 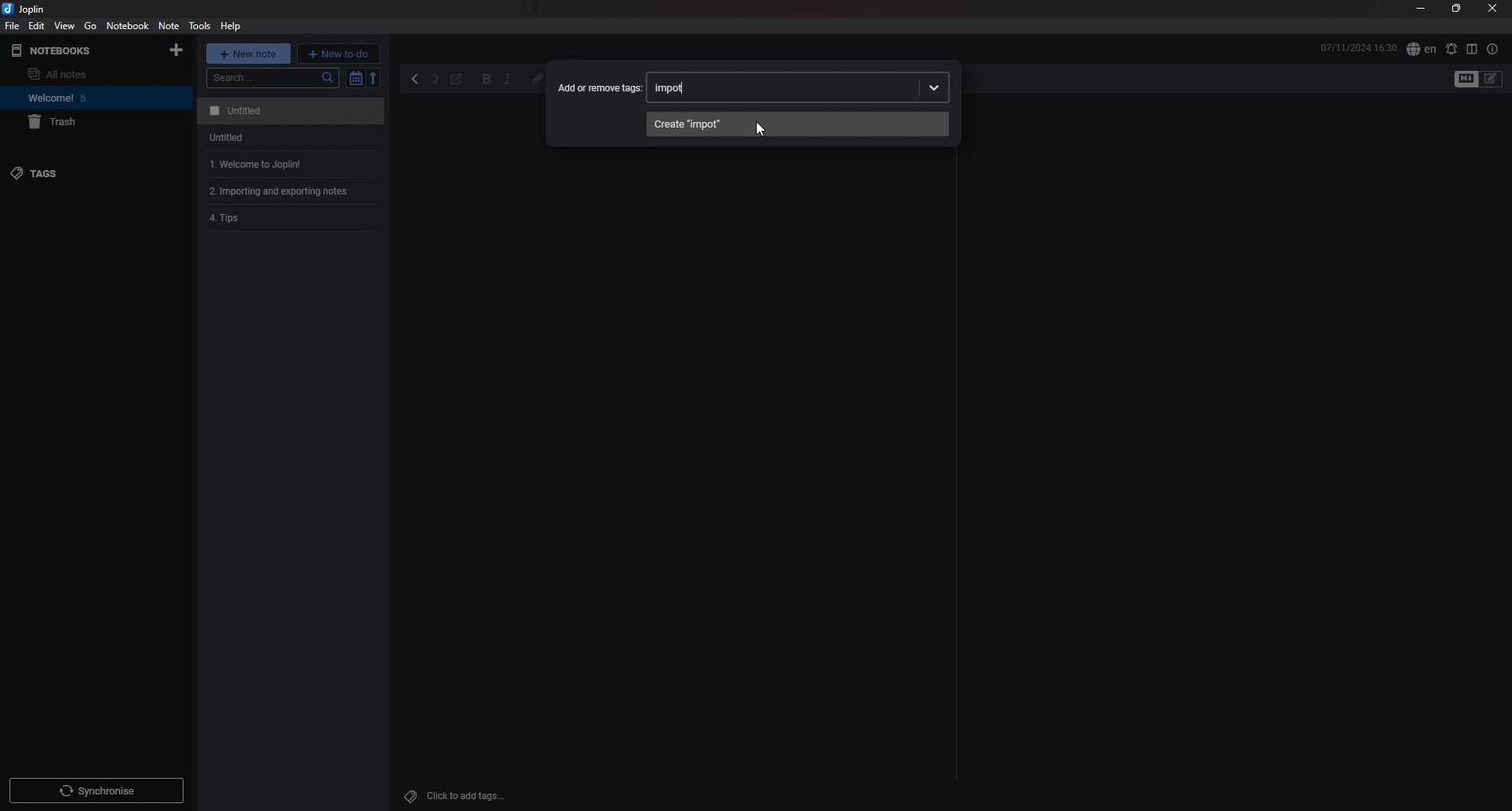 I want to click on minimize, so click(x=1421, y=10).